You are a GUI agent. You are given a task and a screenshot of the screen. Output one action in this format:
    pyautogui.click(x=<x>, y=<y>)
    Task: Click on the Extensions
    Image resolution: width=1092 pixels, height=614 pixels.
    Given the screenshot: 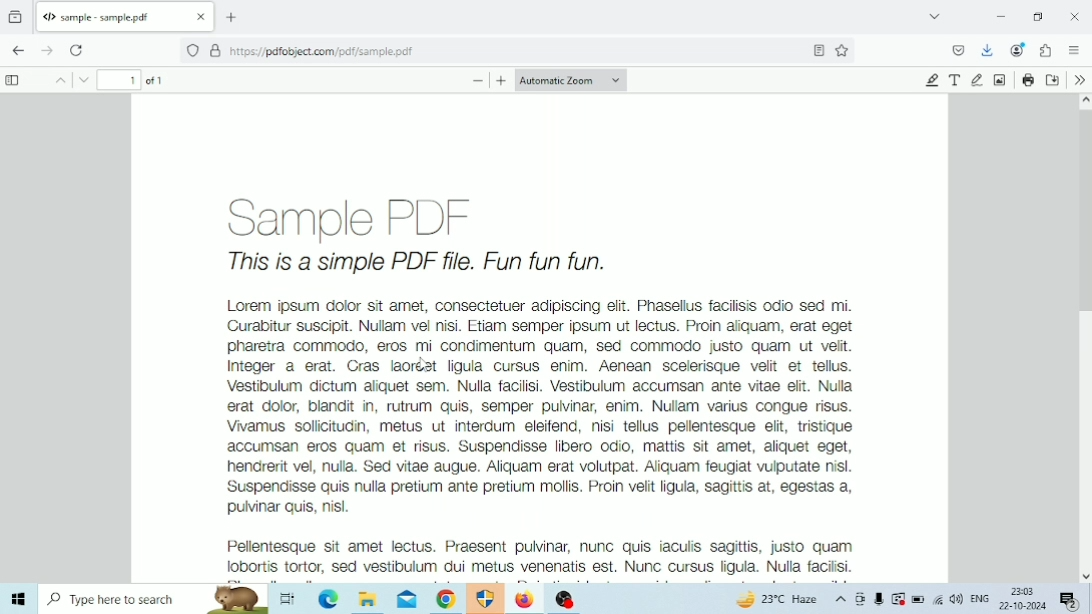 What is the action you would take?
    pyautogui.click(x=1047, y=51)
    